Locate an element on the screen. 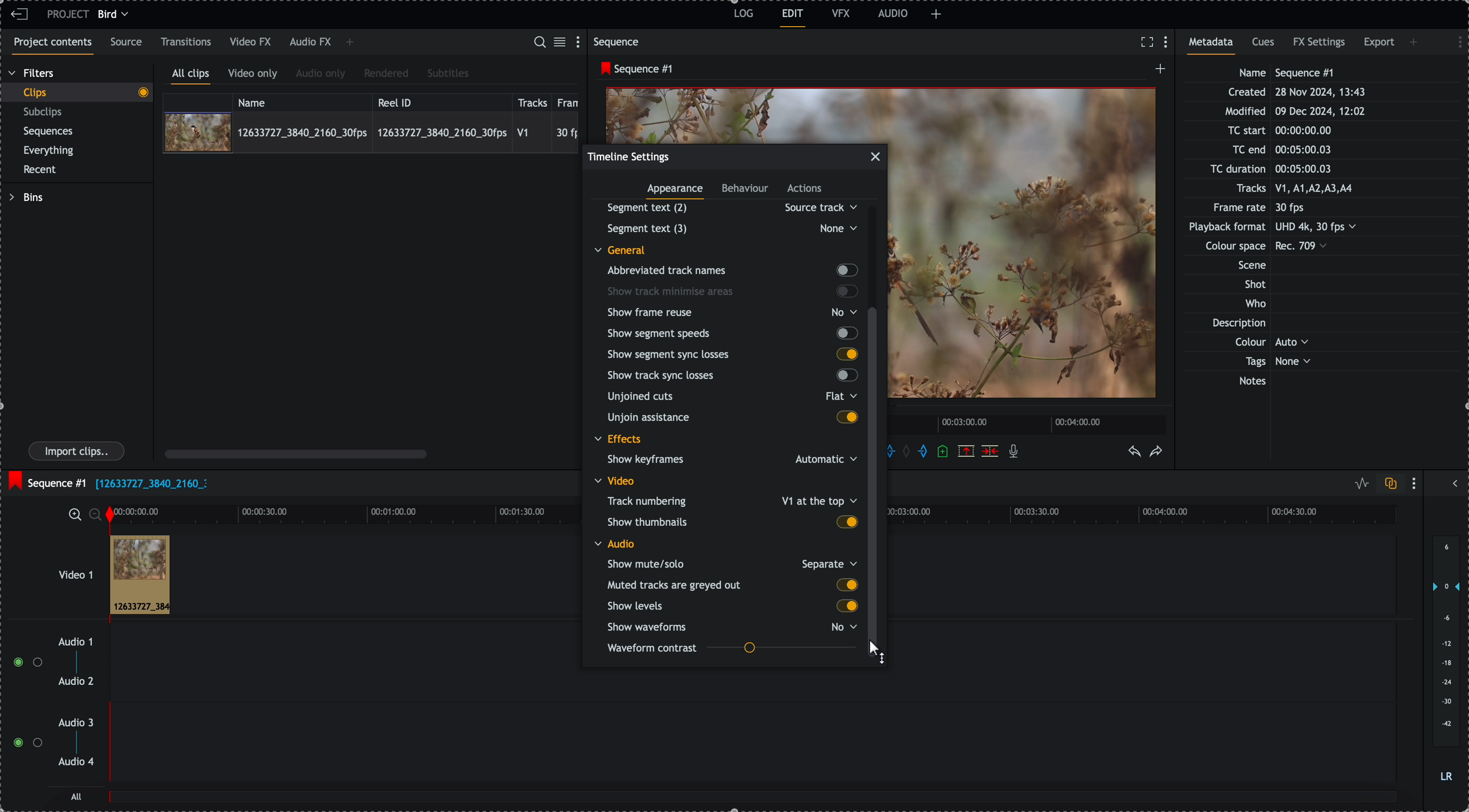 The height and width of the screenshot is (812, 1469). add in marks is located at coordinates (899, 450).